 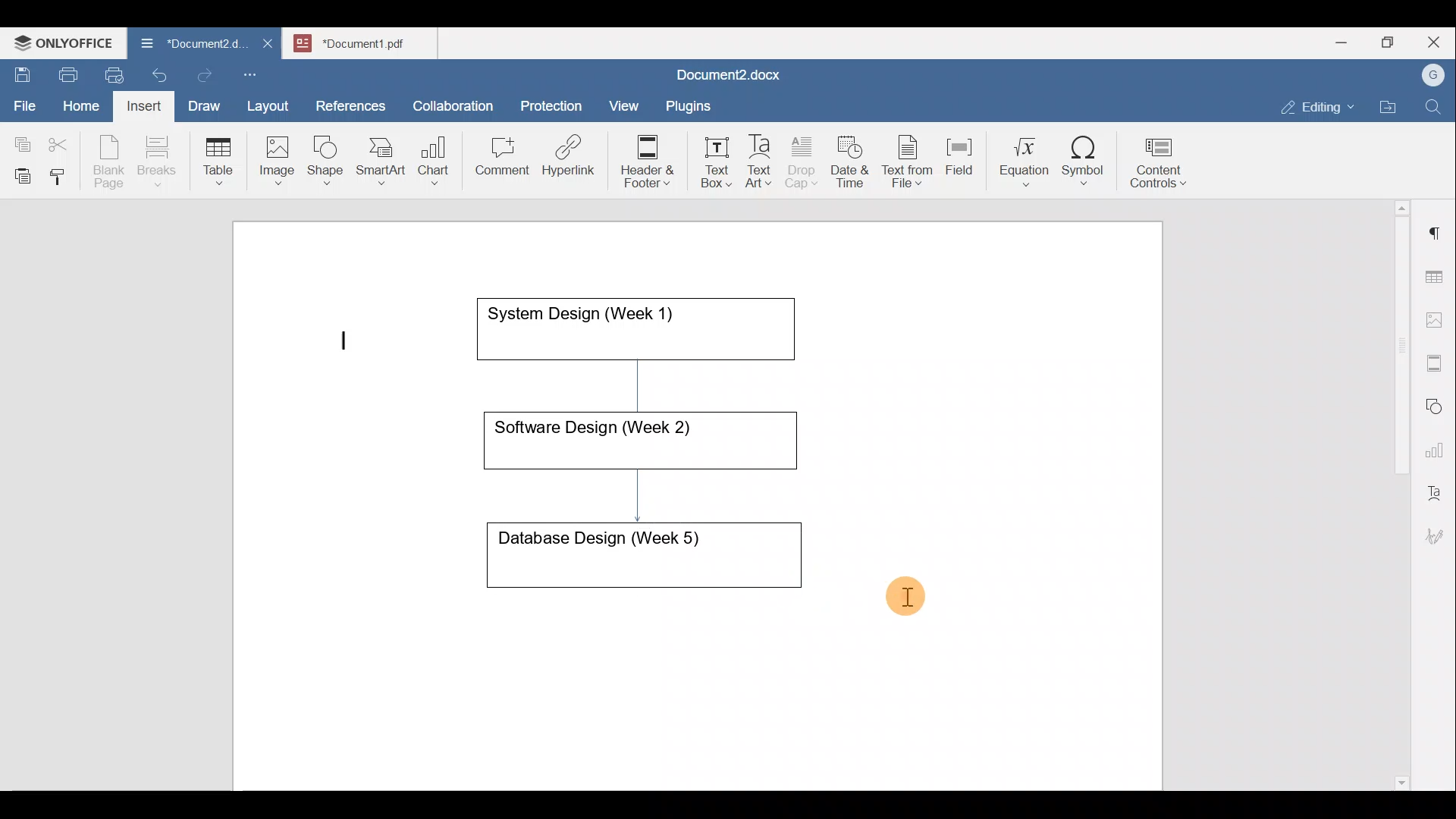 I want to click on Table settings, so click(x=1437, y=275).